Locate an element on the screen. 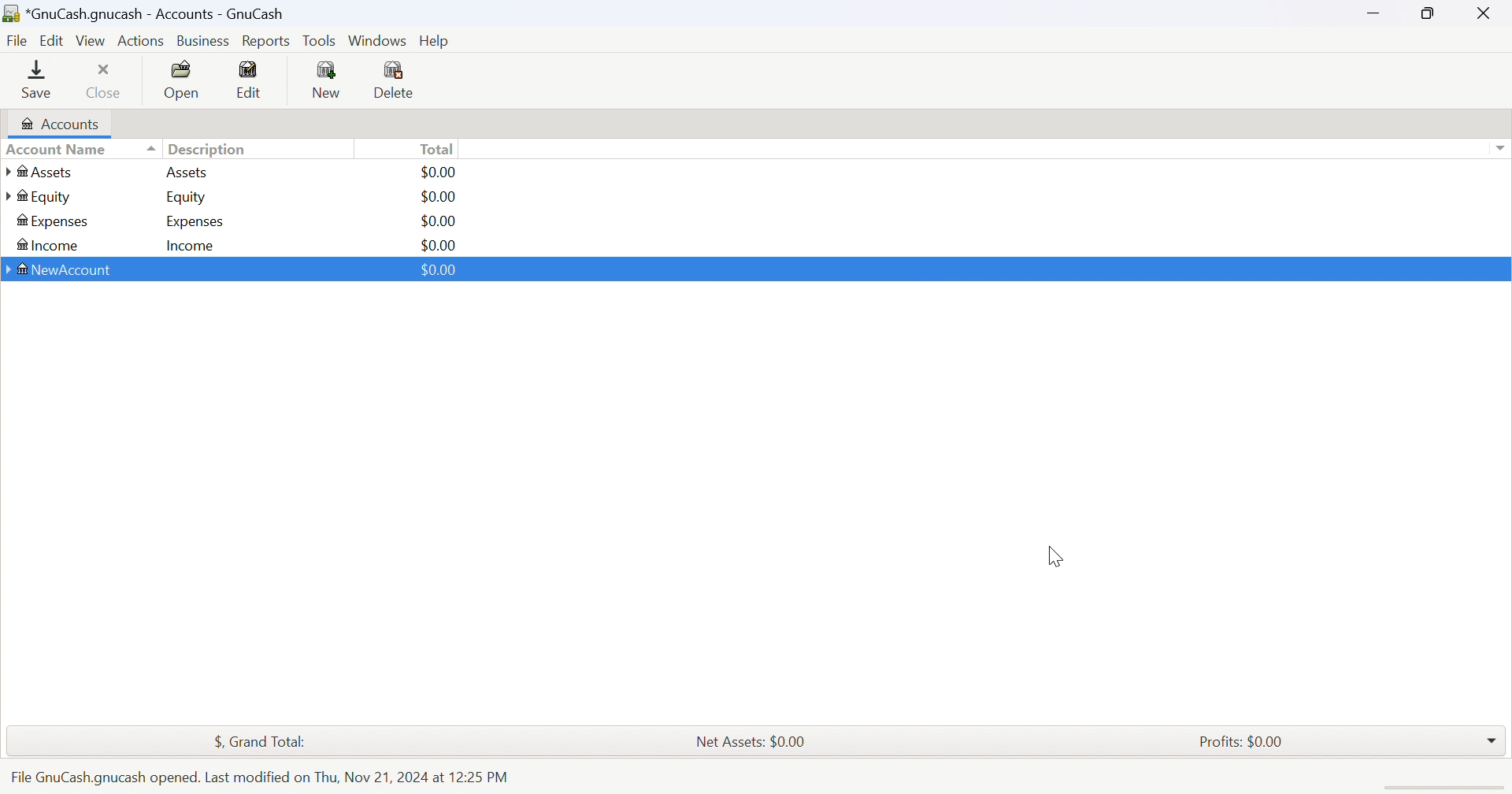 This screenshot has width=1512, height=794. Business is located at coordinates (206, 42).